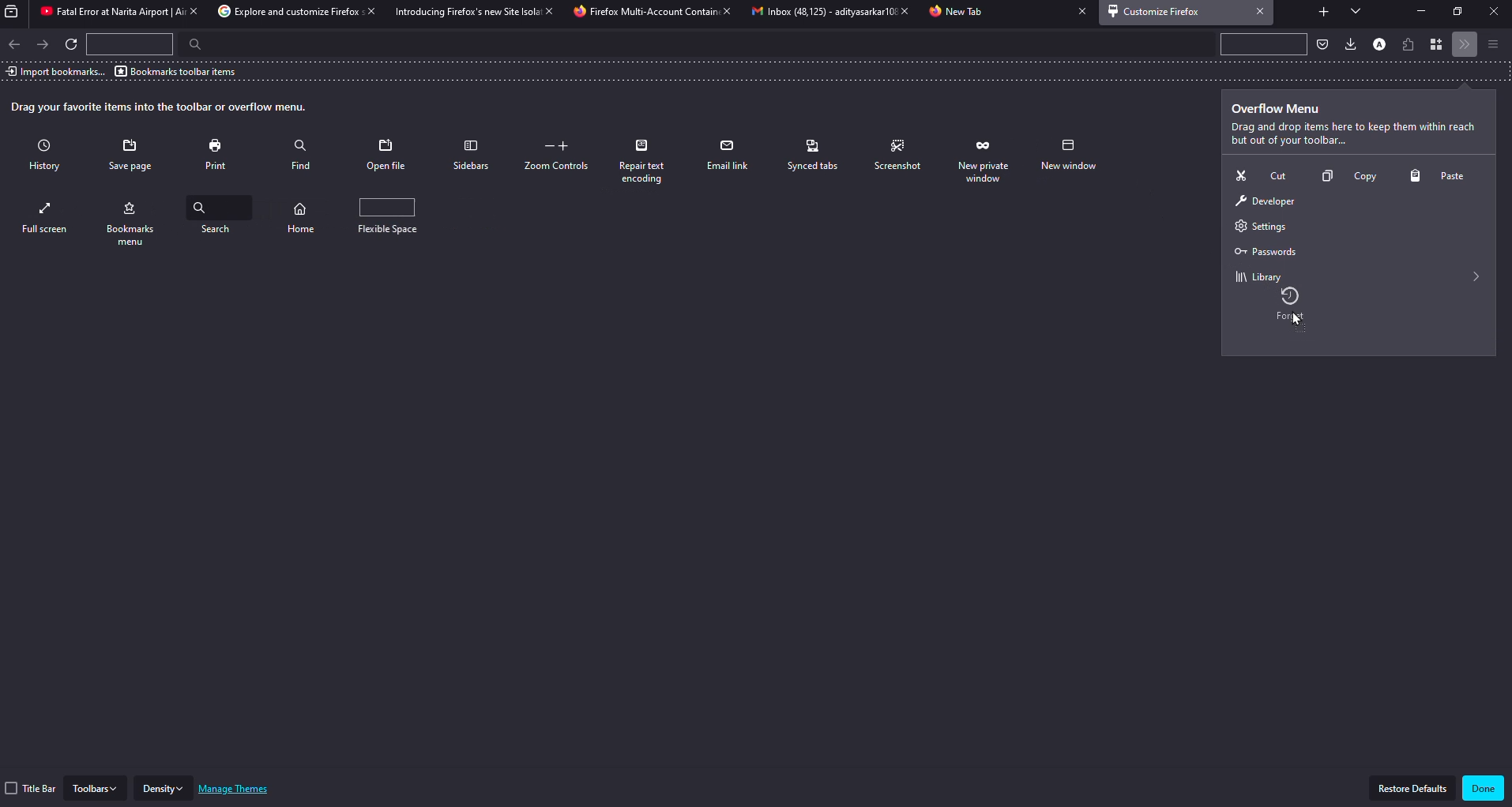 The height and width of the screenshot is (807, 1512). Describe the element at coordinates (104, 13) in the screenshot. I see `tab` at that location.